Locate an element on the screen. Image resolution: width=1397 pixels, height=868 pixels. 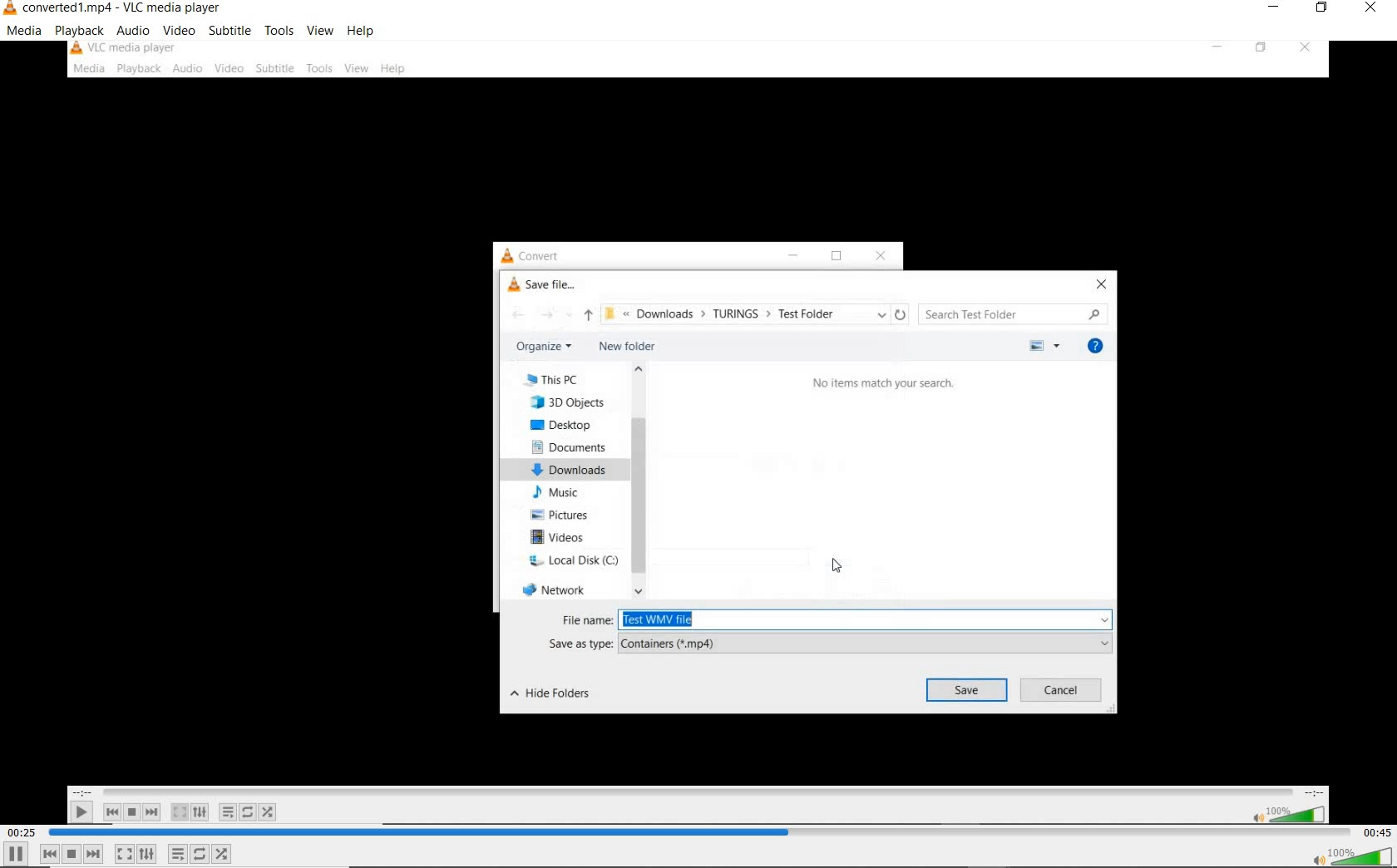
cursor position after clicking record is located at coordinates (837, 565).